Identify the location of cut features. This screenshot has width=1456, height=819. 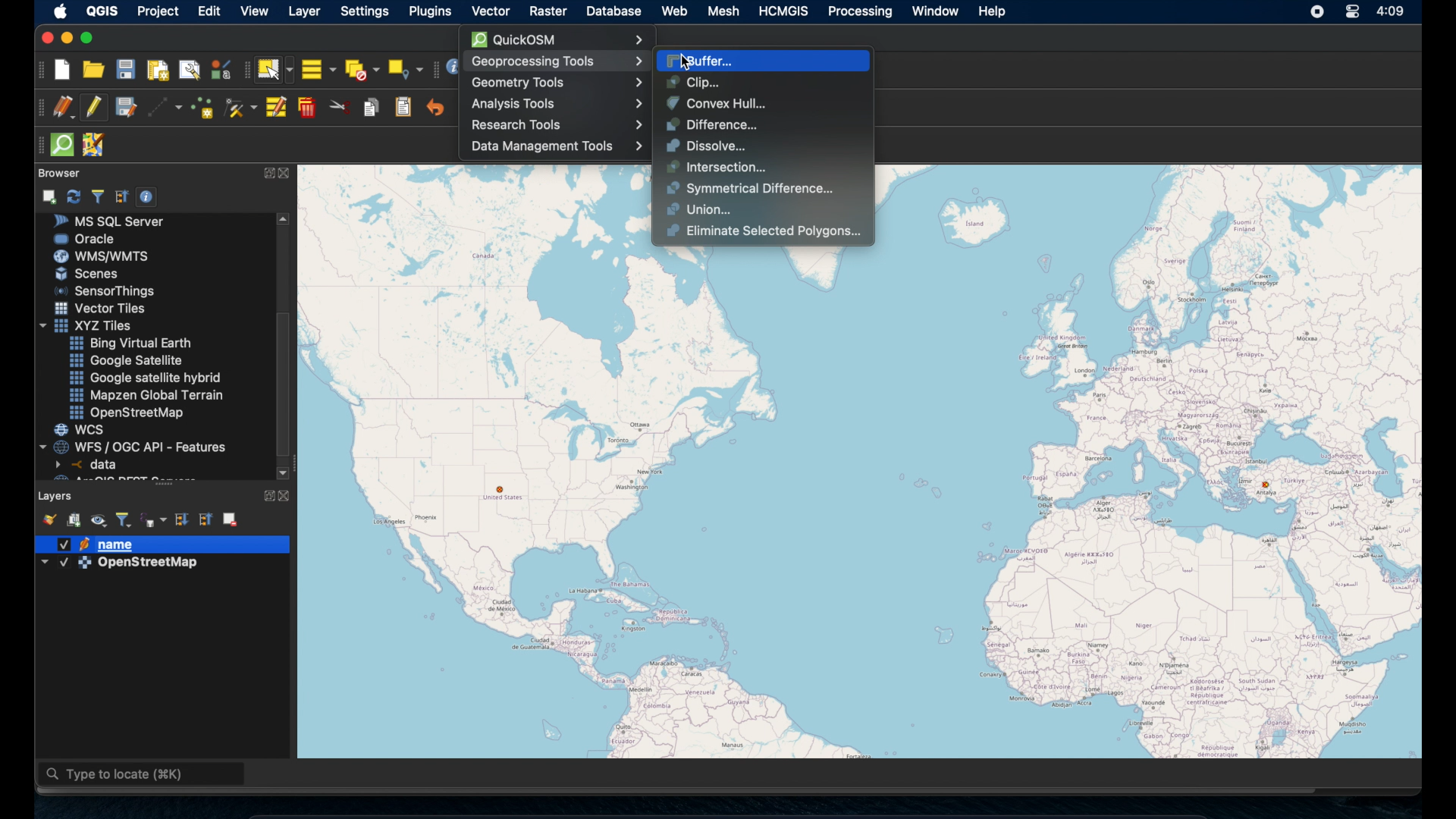
(340, 107).